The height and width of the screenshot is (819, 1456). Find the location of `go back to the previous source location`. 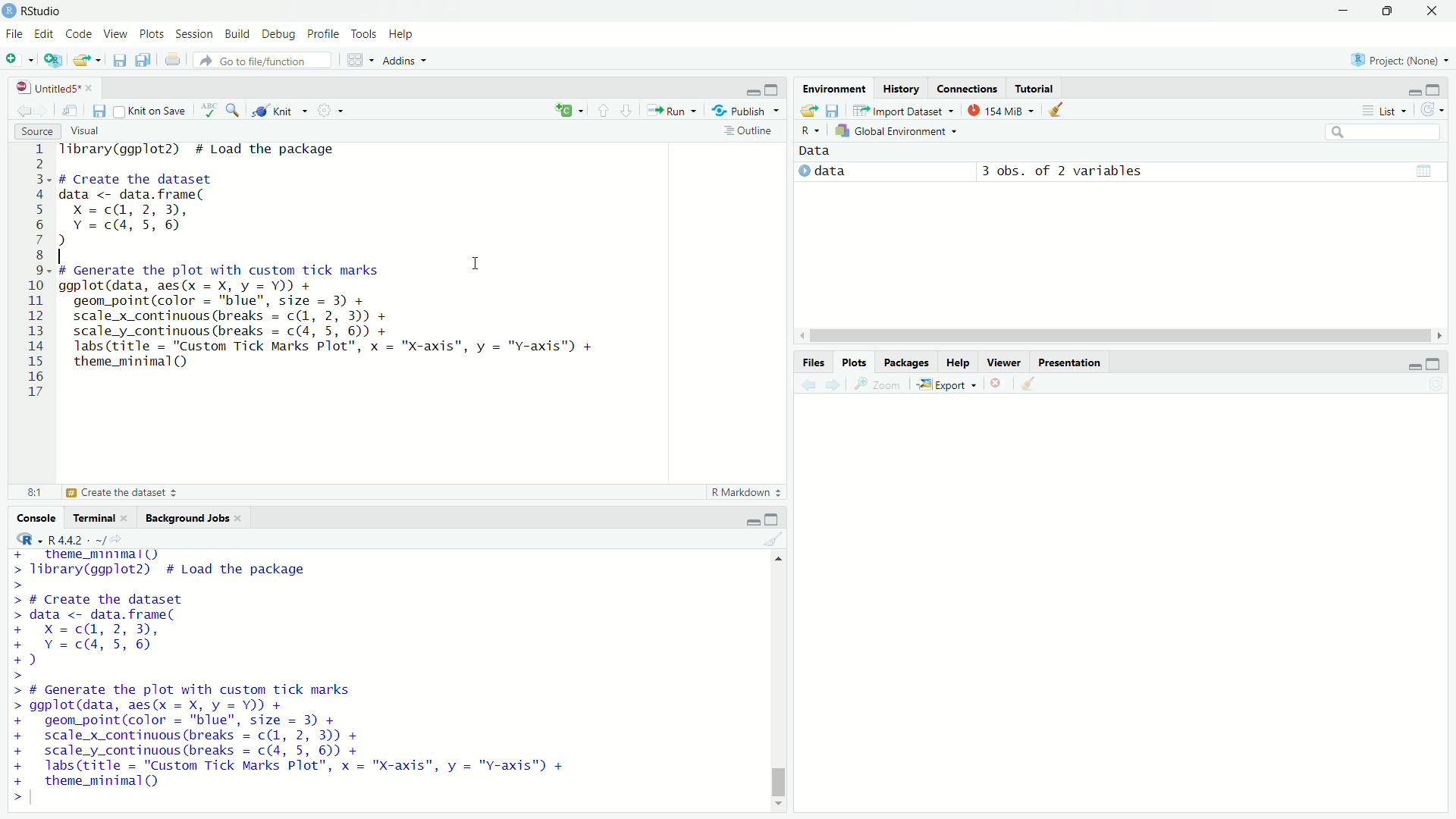

go back to the previous source location is located at coordinates (17, 109).